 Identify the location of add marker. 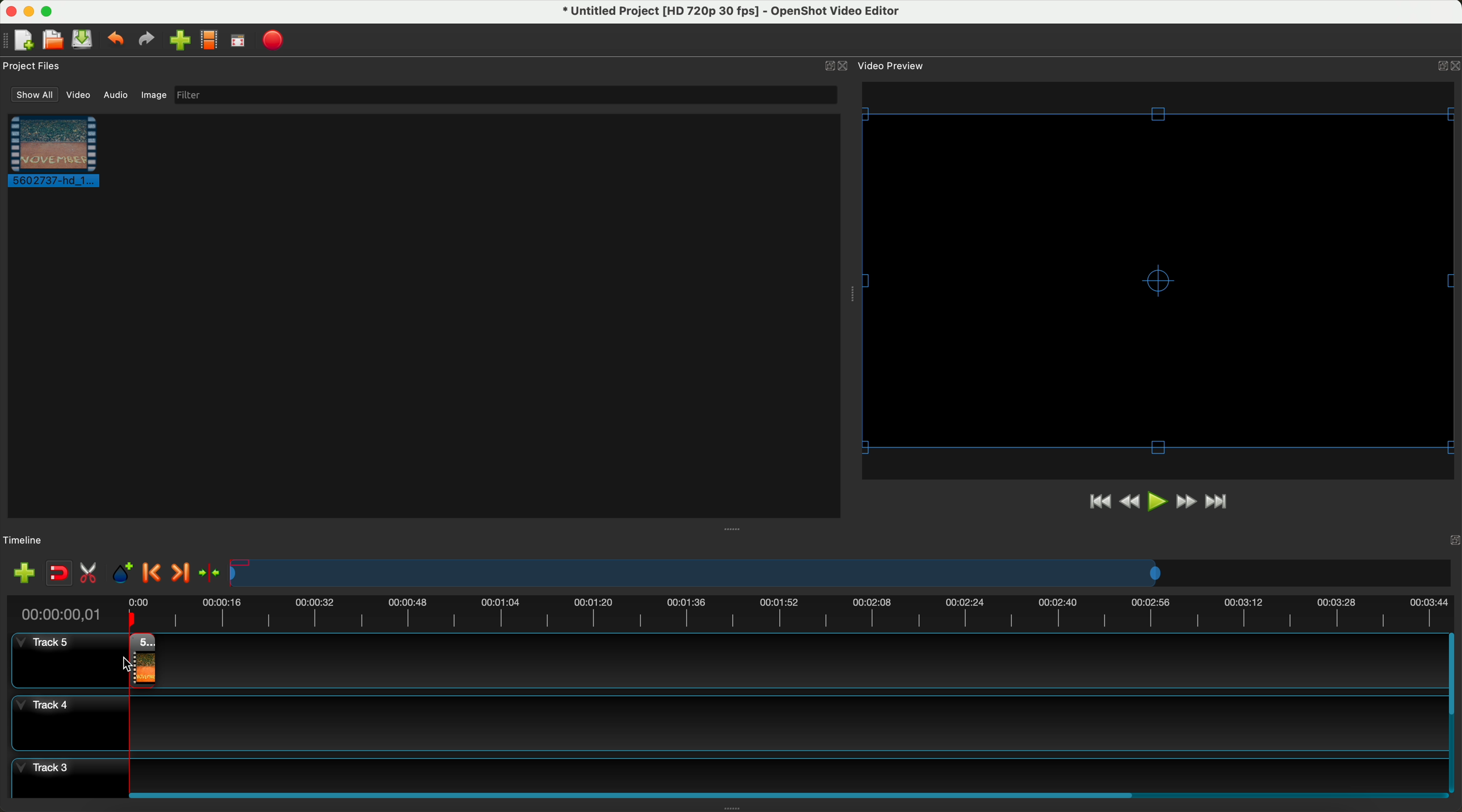
(123, 574).